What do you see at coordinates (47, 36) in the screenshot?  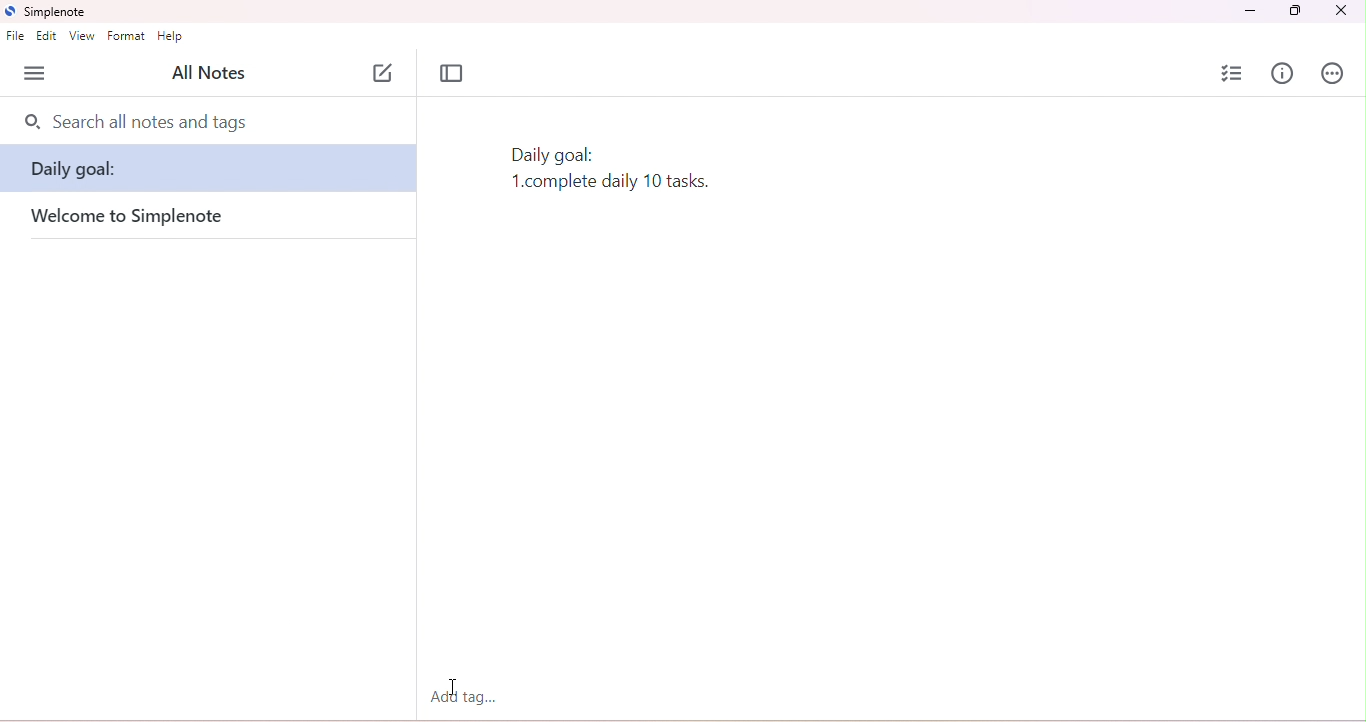 I see `edit` at bounding box center [47, 36].